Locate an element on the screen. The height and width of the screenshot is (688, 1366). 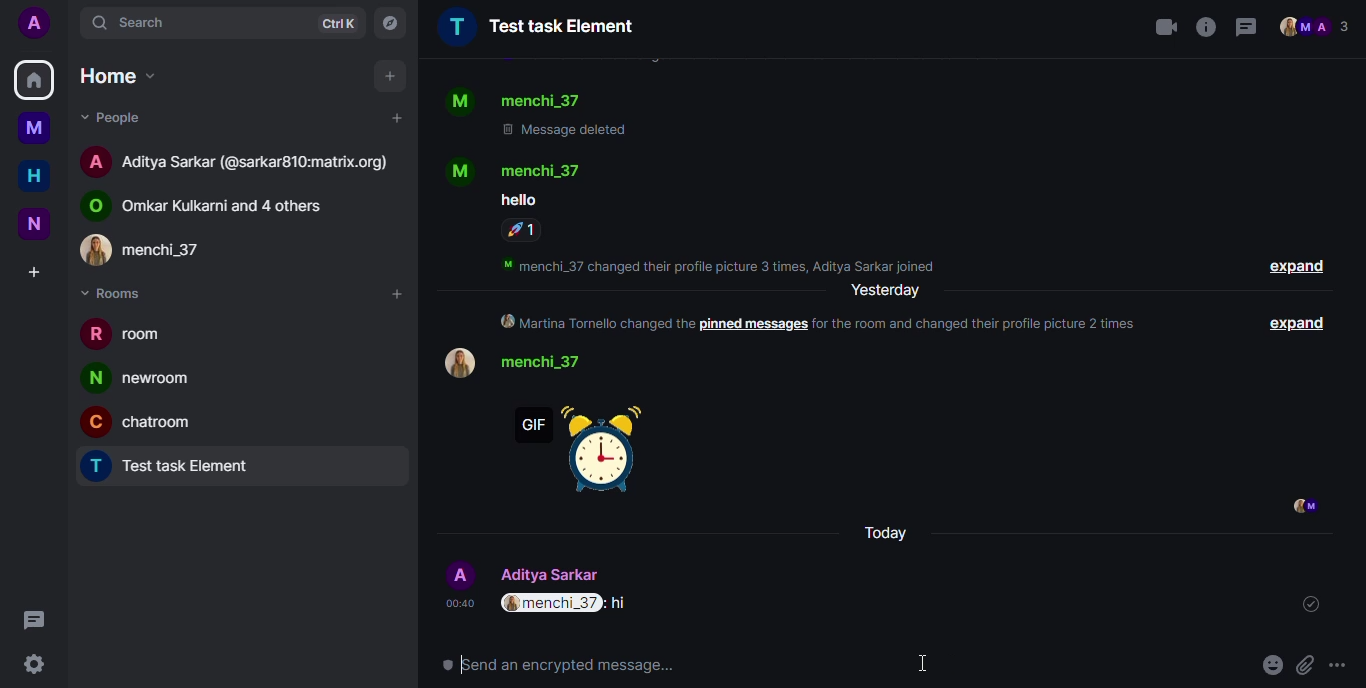
home is located at coordinates (34, 177).